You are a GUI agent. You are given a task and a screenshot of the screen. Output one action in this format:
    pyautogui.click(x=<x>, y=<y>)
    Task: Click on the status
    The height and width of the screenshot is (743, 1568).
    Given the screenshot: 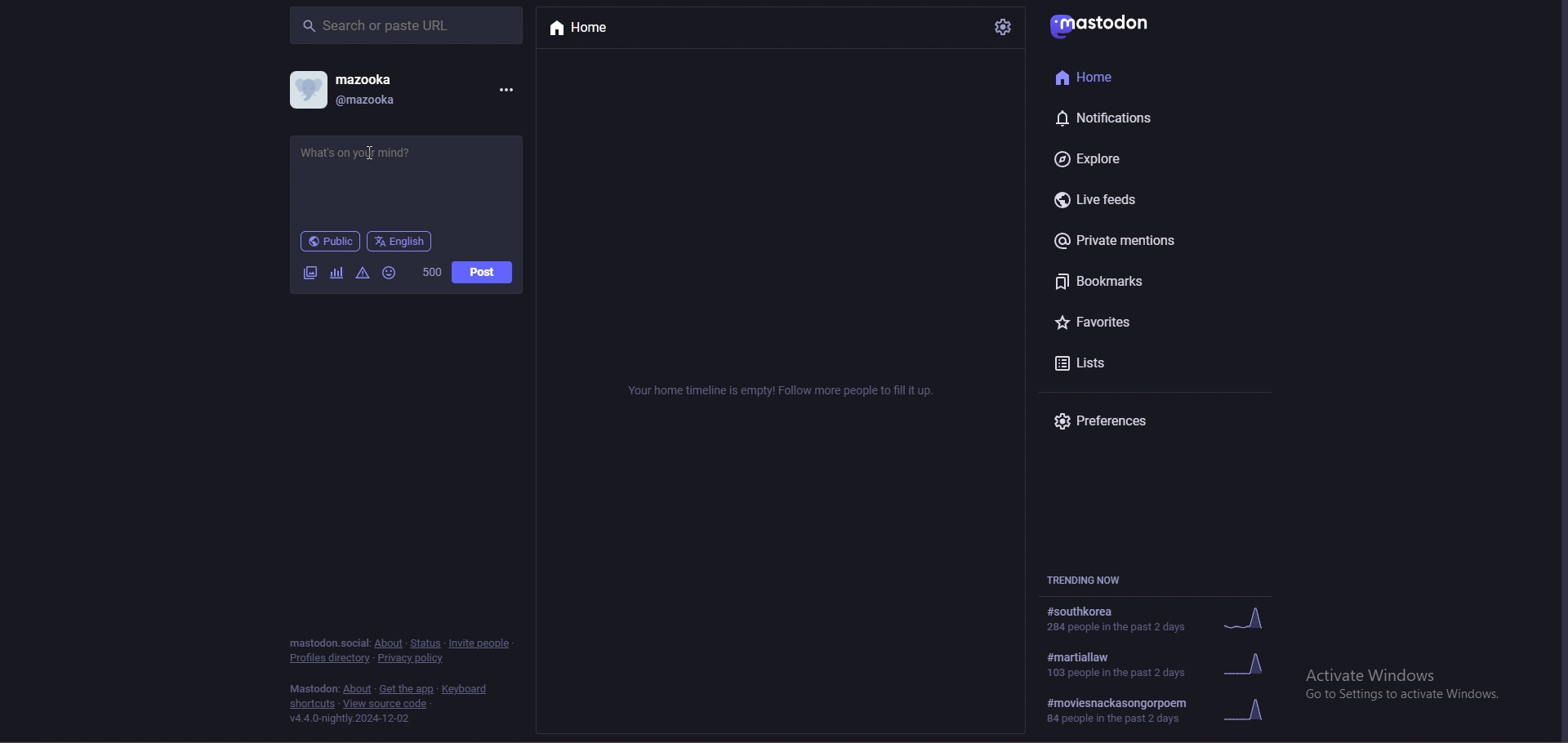 What is the action you would take?
    pyautogui.click(x=425, y=643)
    